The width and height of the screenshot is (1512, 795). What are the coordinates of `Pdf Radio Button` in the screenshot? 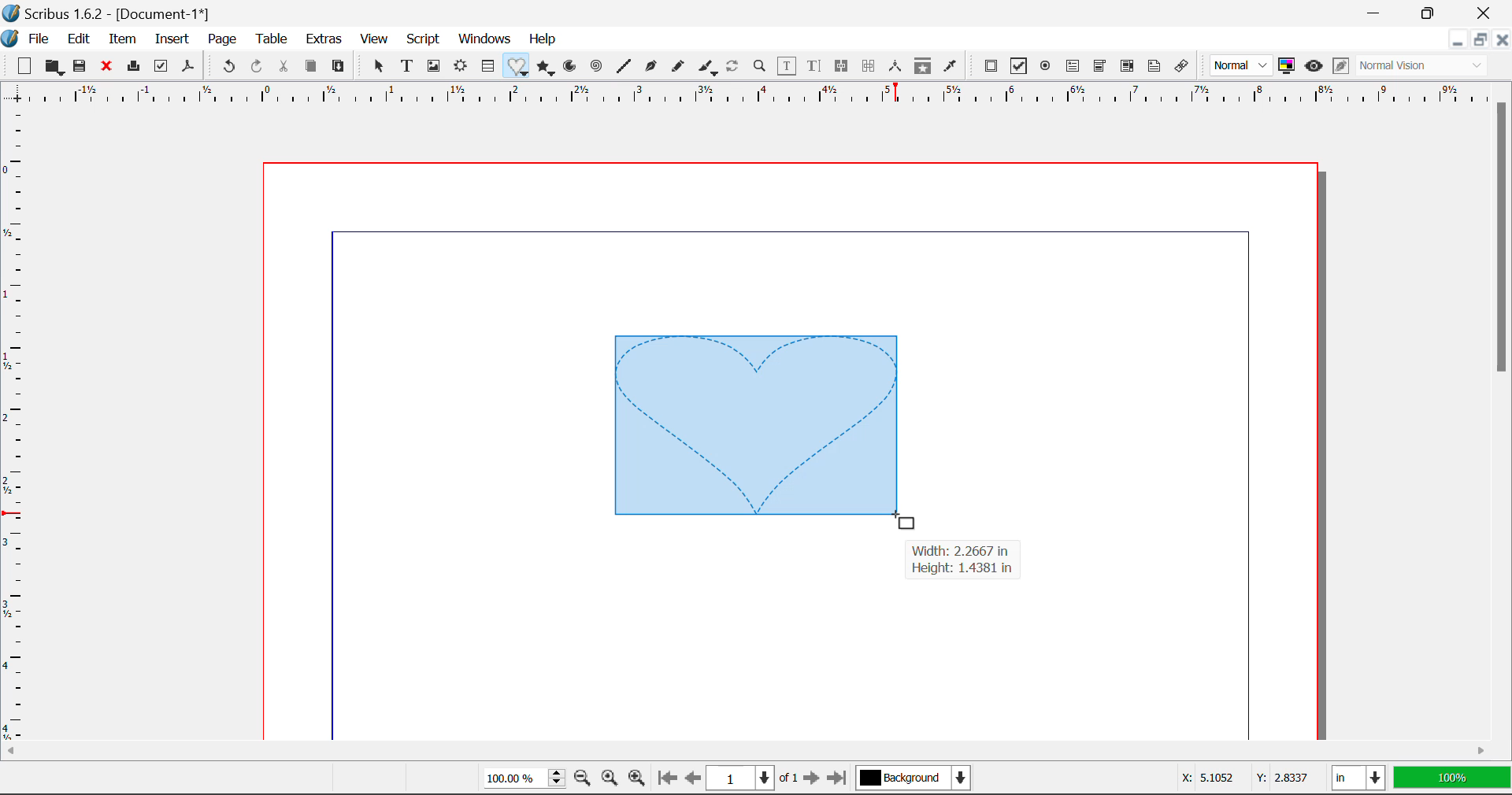 It's located at (1047, 68).